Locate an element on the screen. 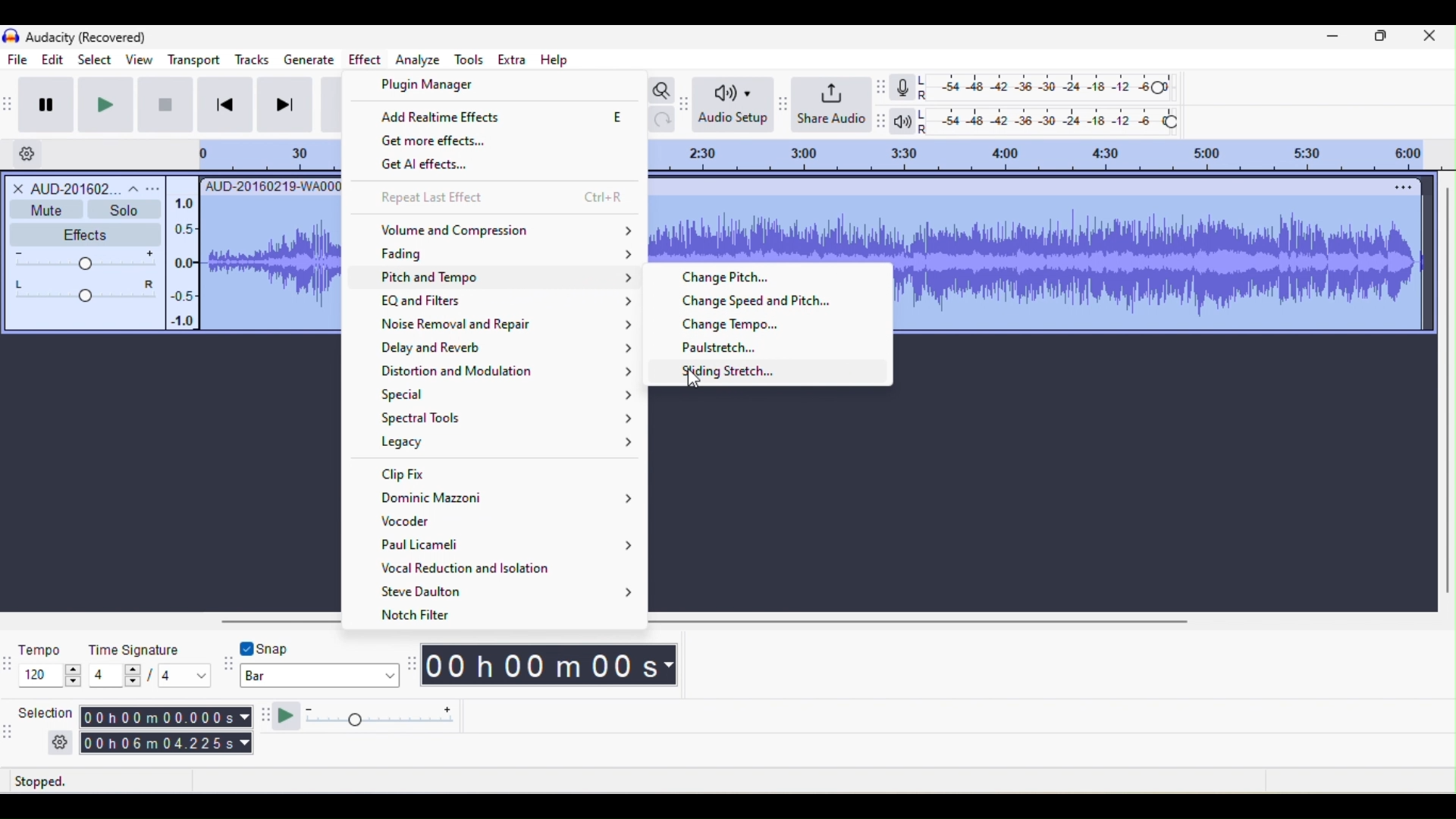 This screenshot has width=1456, height=819. get AI effects is located at coordinates (454, 167).